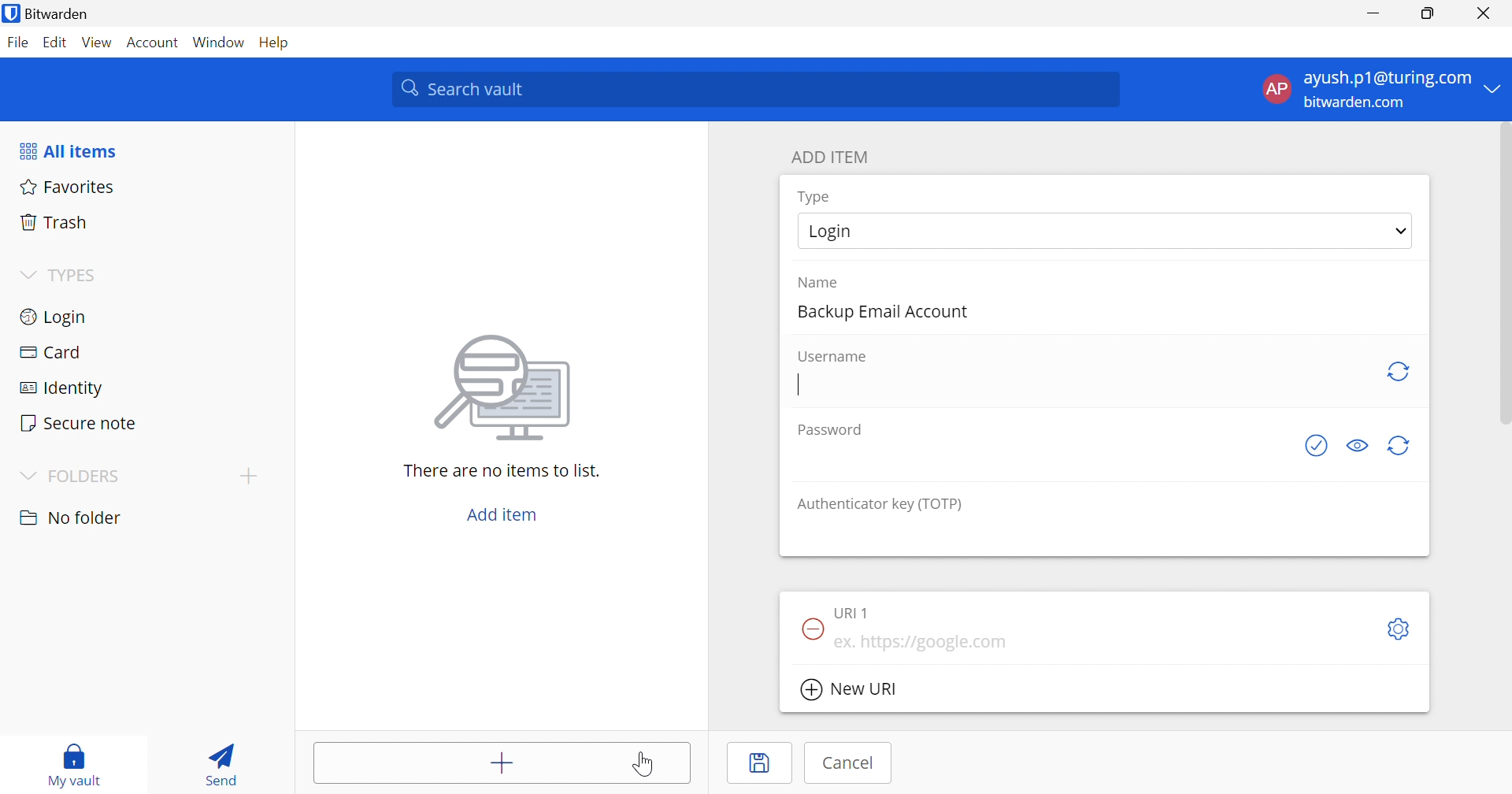  What do you see at coordinates (1275, 89) in the screenshot?
I see `AP` at bounding box center [1275, 89].